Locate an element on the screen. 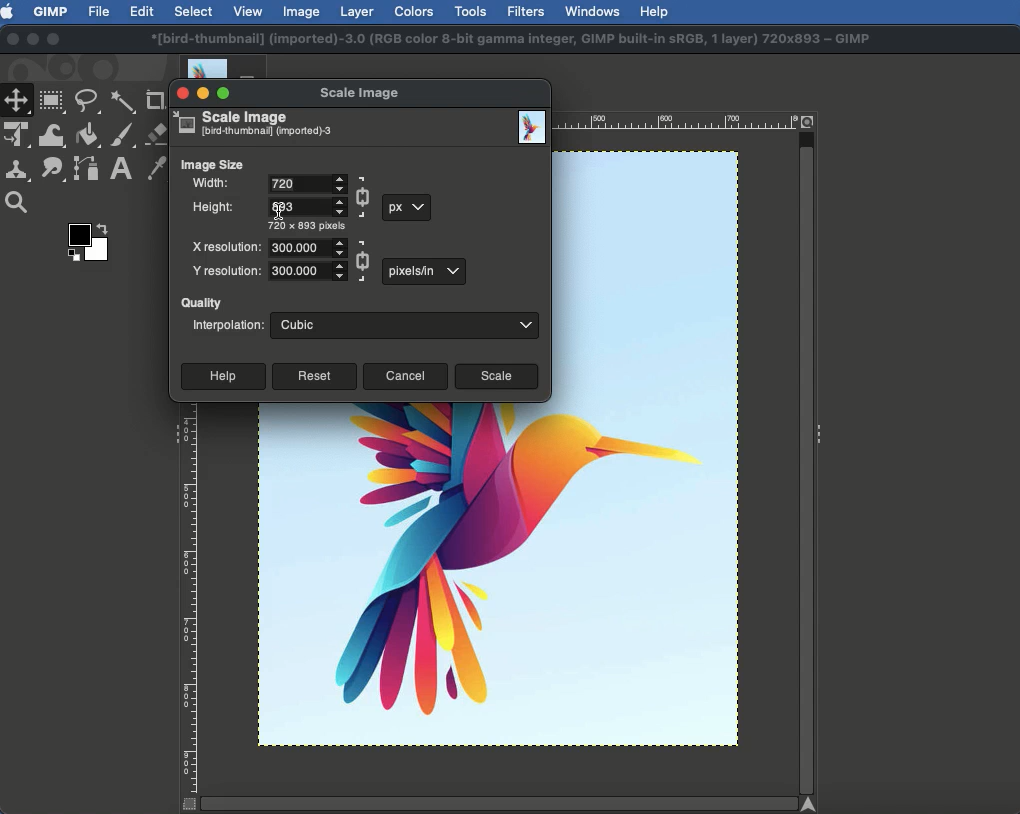 Image resolution: width=1020 pixels, height=814 pixels. Paint is located at coordinates (124, 136).